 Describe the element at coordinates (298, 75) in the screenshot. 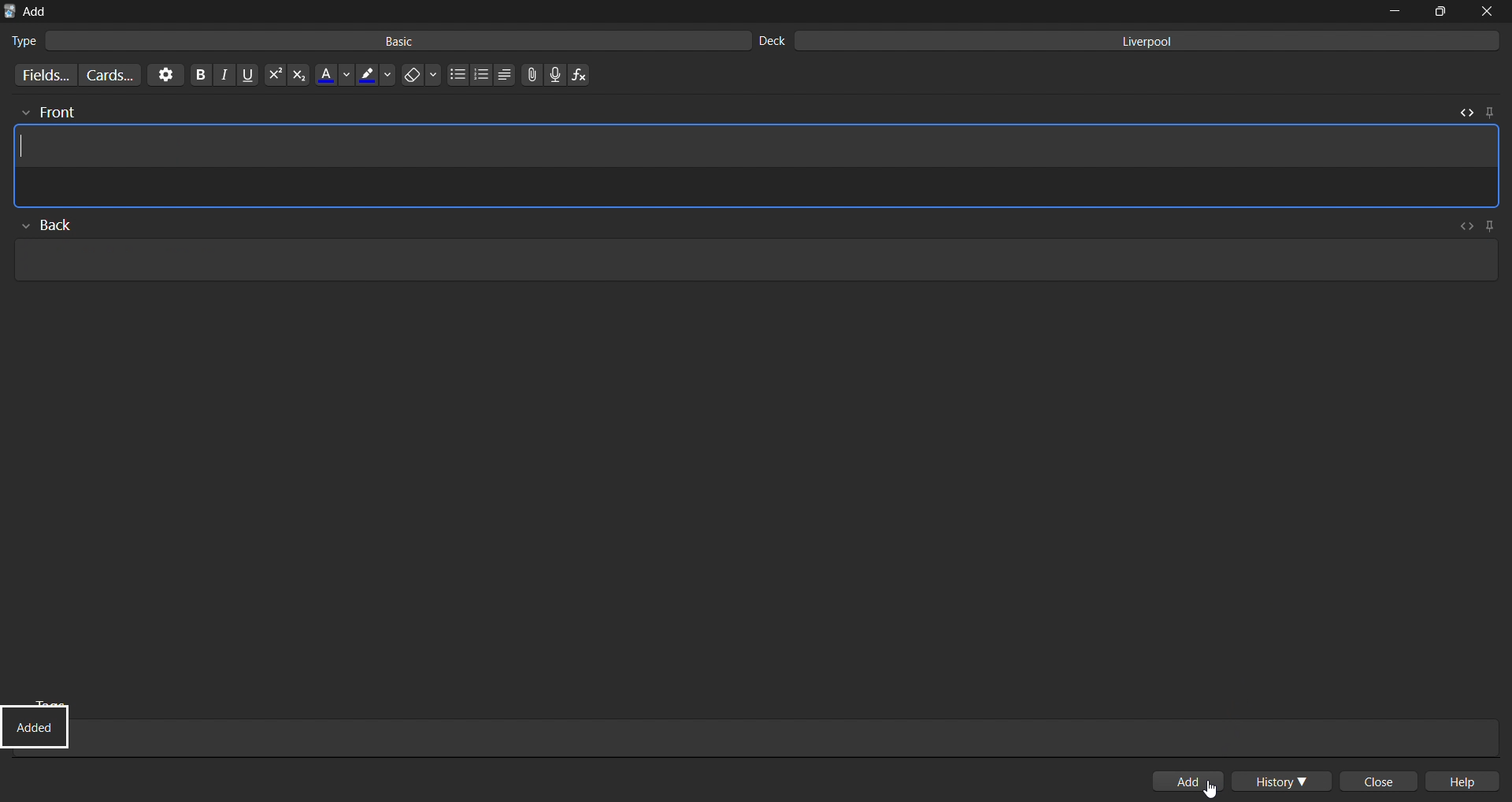

I see `subscript` at that location.